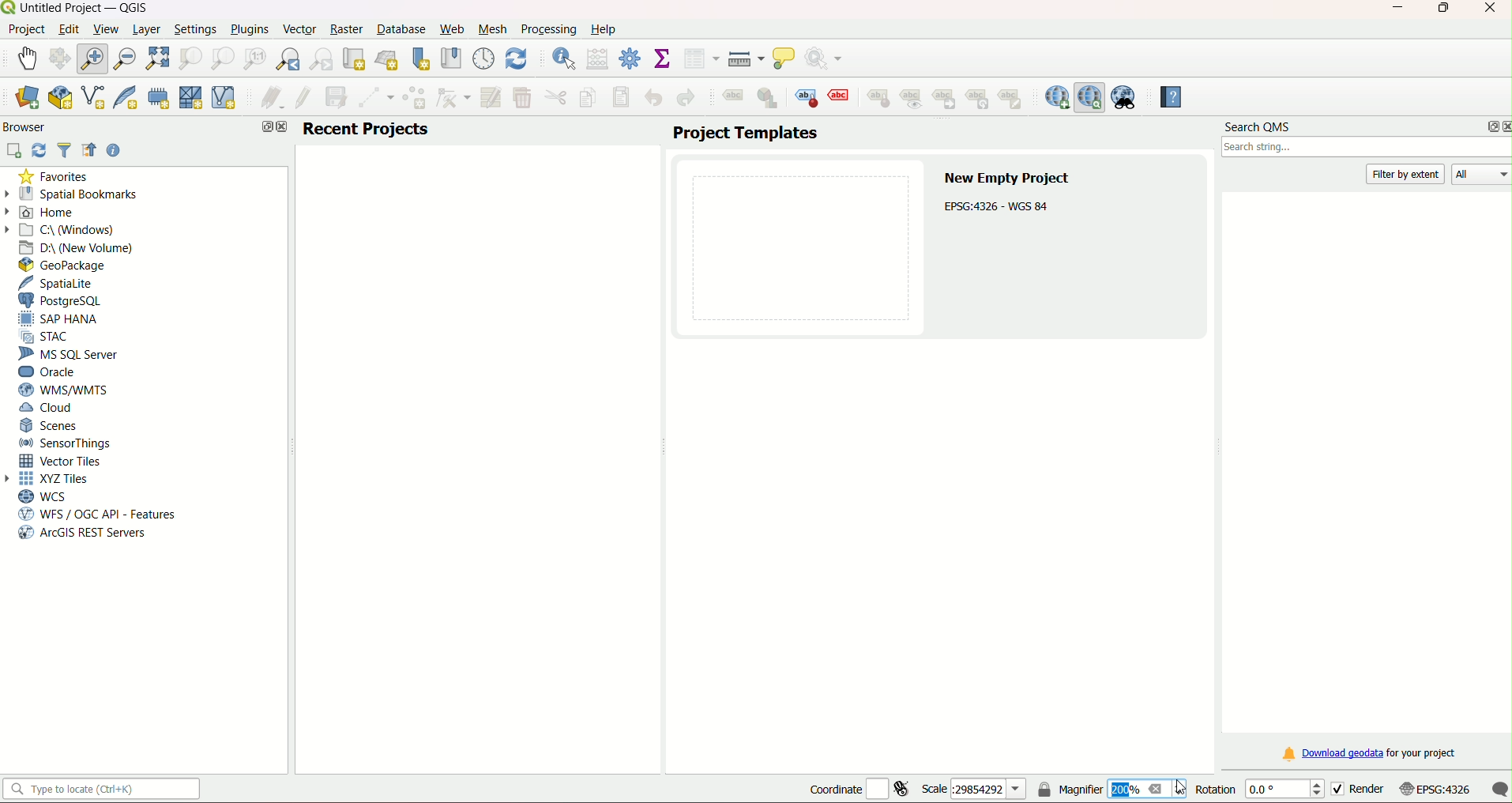 This screenshot has width=1512, height=803. Describe the element at coordinates (12, 478) in the screenshot. I see `arrow` at that location.